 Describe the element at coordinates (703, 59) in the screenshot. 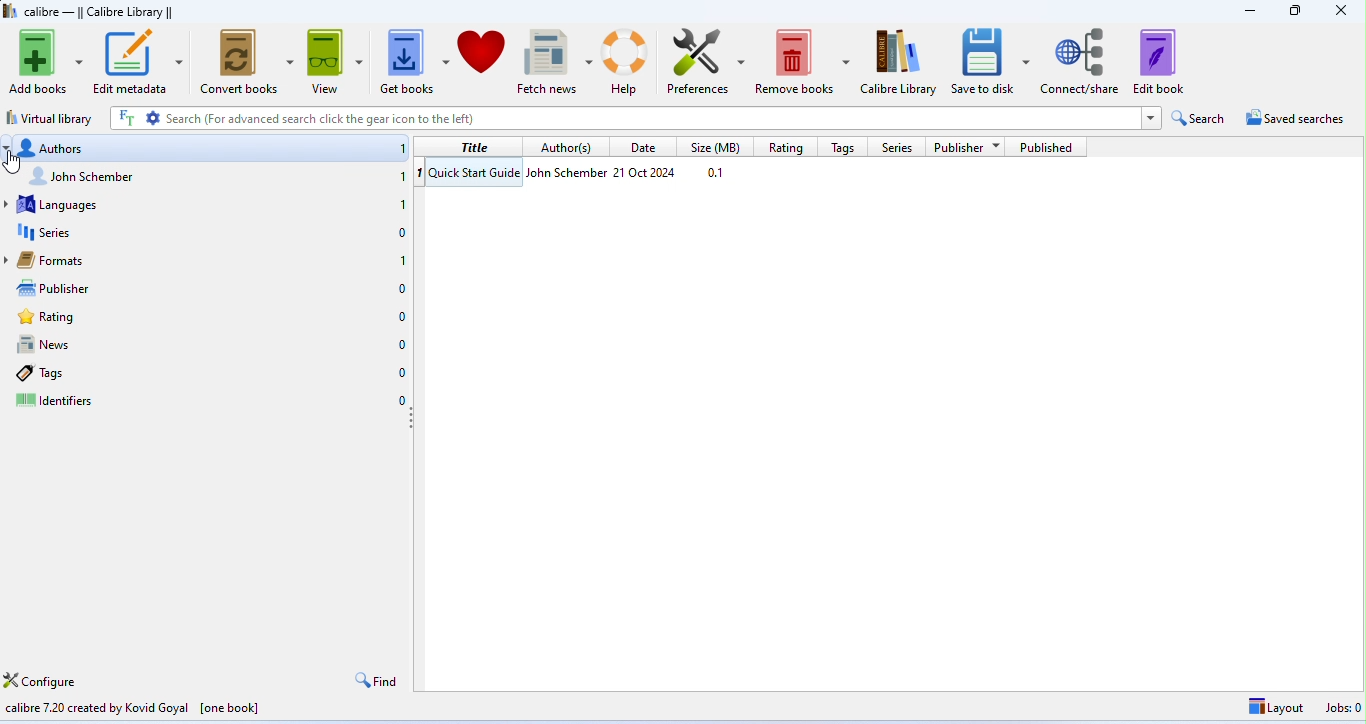

I see `preferences` at that location.